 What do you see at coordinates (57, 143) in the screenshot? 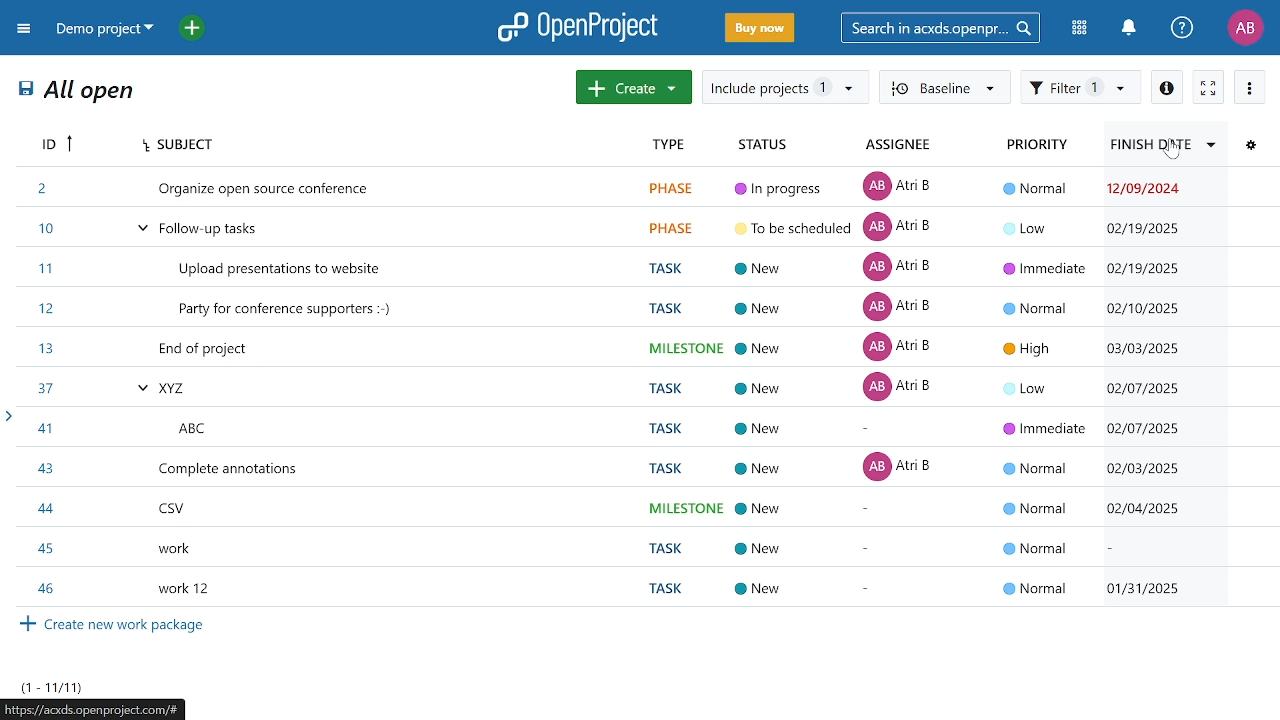
I see `Id` at bounding box center [57, 143].